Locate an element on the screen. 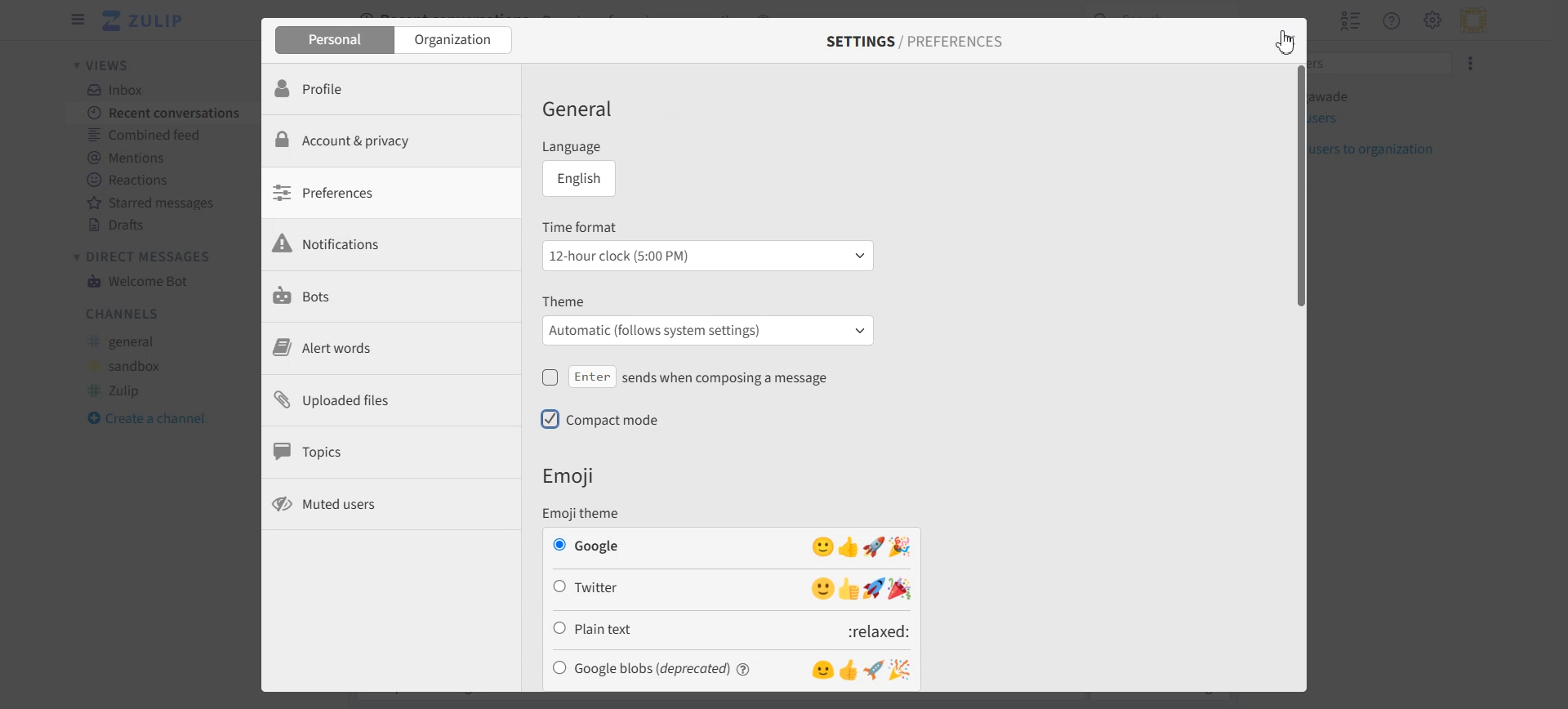  Bots is located at coordinates (390, 297).